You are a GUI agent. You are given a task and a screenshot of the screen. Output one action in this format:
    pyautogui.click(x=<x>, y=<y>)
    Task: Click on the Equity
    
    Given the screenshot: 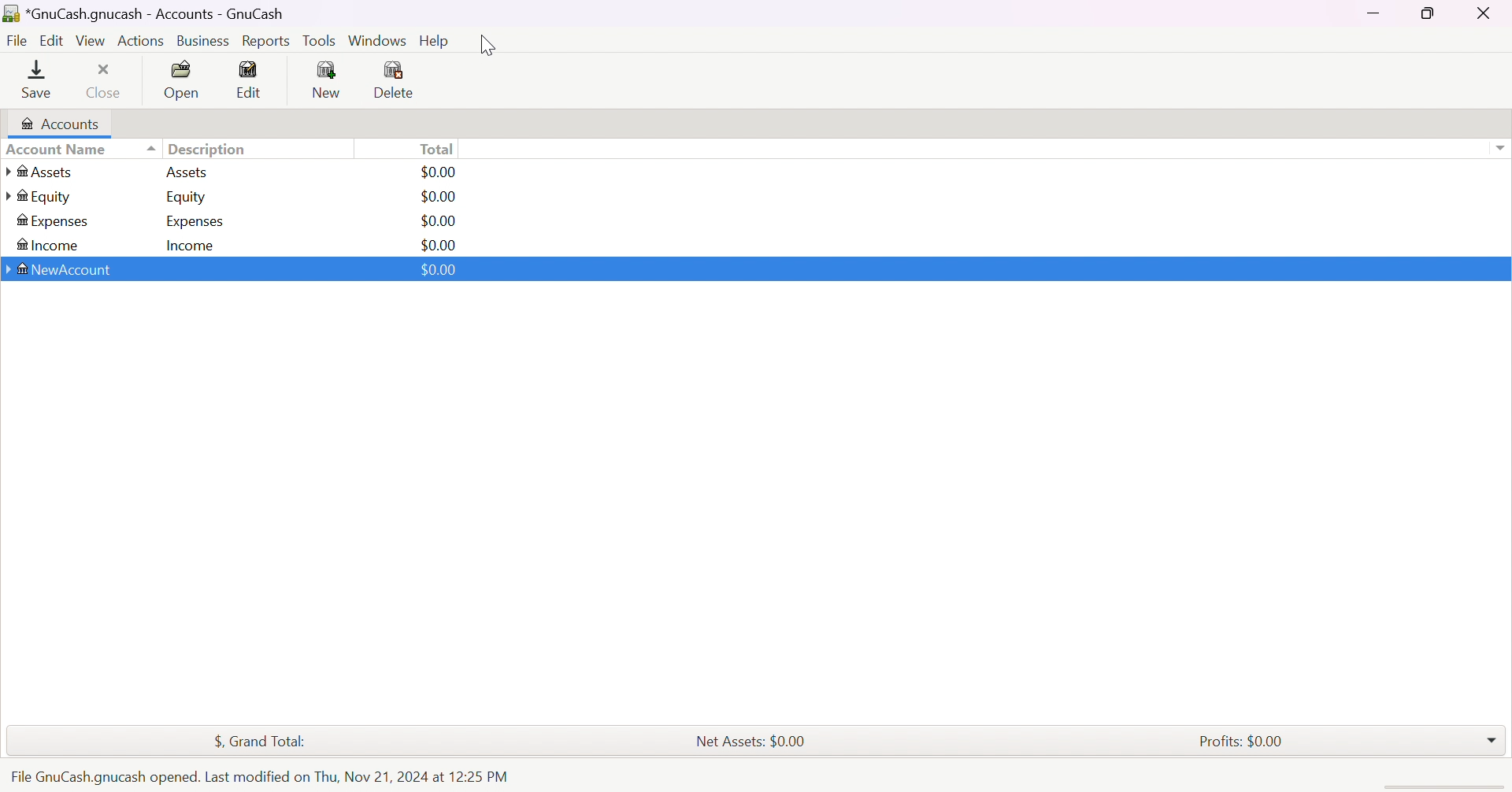 What is the action you would take?
    pyautogui.click(x=41, y=196)
    